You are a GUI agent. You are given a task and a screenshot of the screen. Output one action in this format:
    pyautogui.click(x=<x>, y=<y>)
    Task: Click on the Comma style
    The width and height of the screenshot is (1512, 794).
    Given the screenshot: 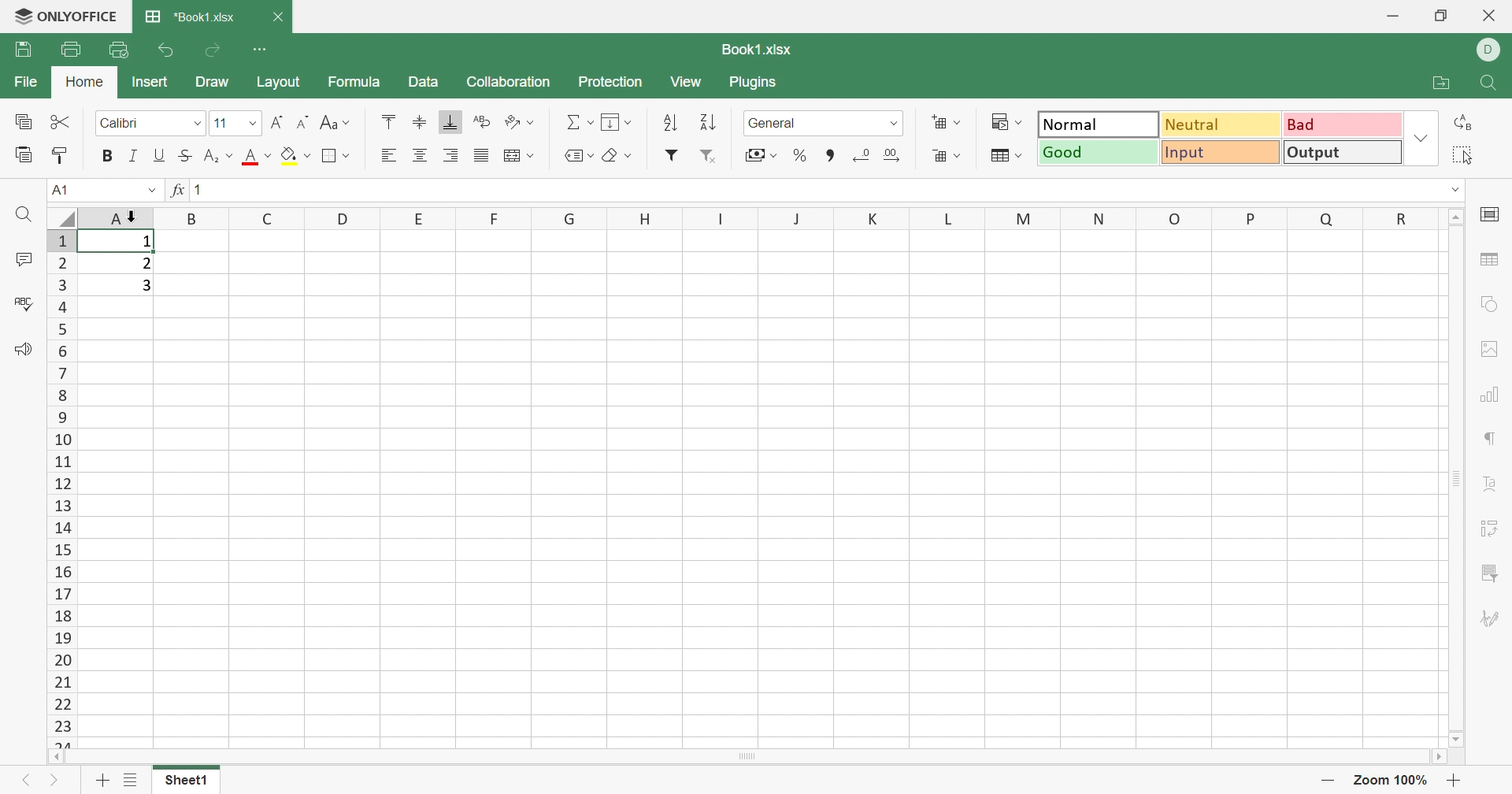 What is the action you would take?
    pyautogui.click(x=832, y=156)
    